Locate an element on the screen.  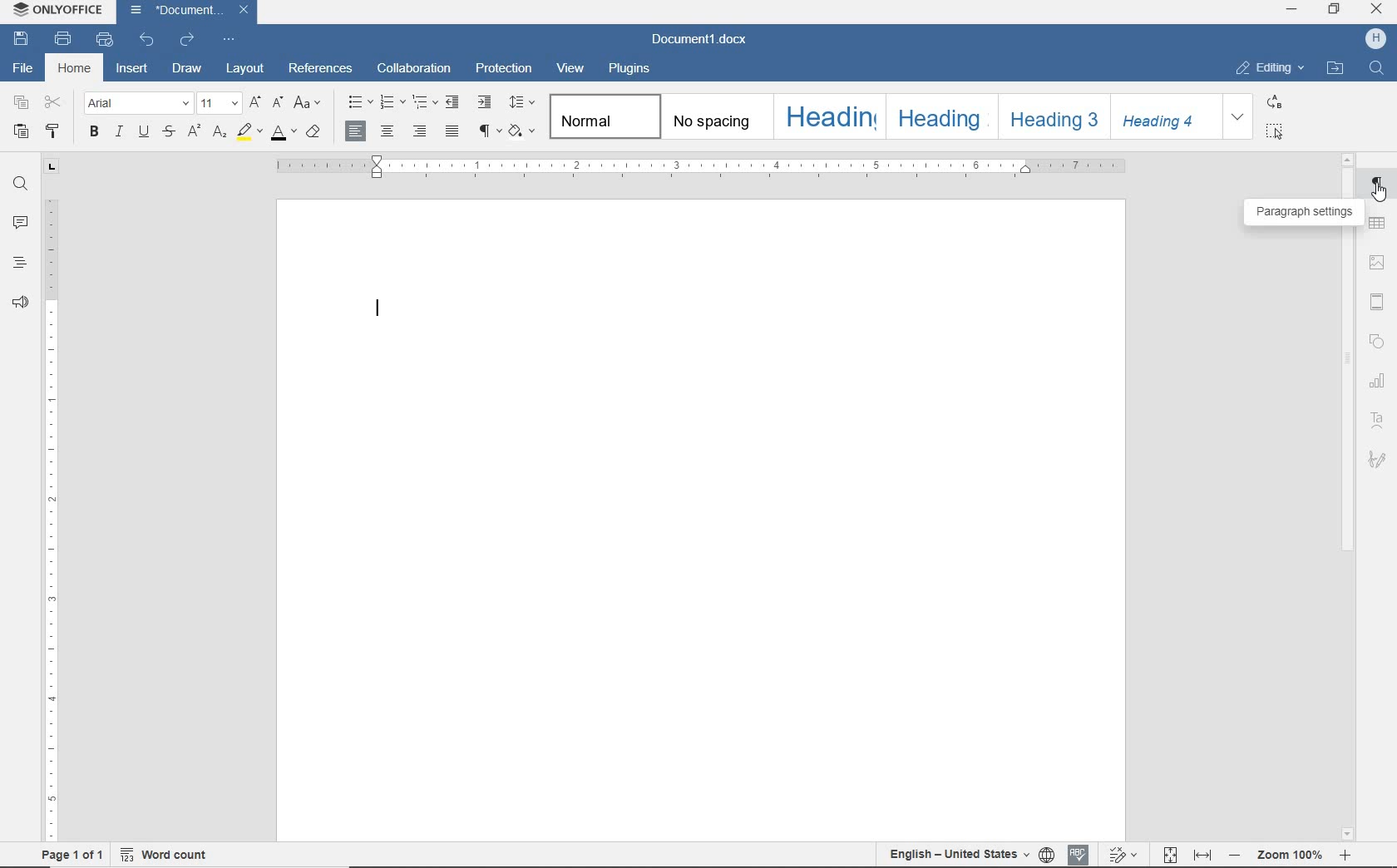
plugins is located at coordinates (636, 69).